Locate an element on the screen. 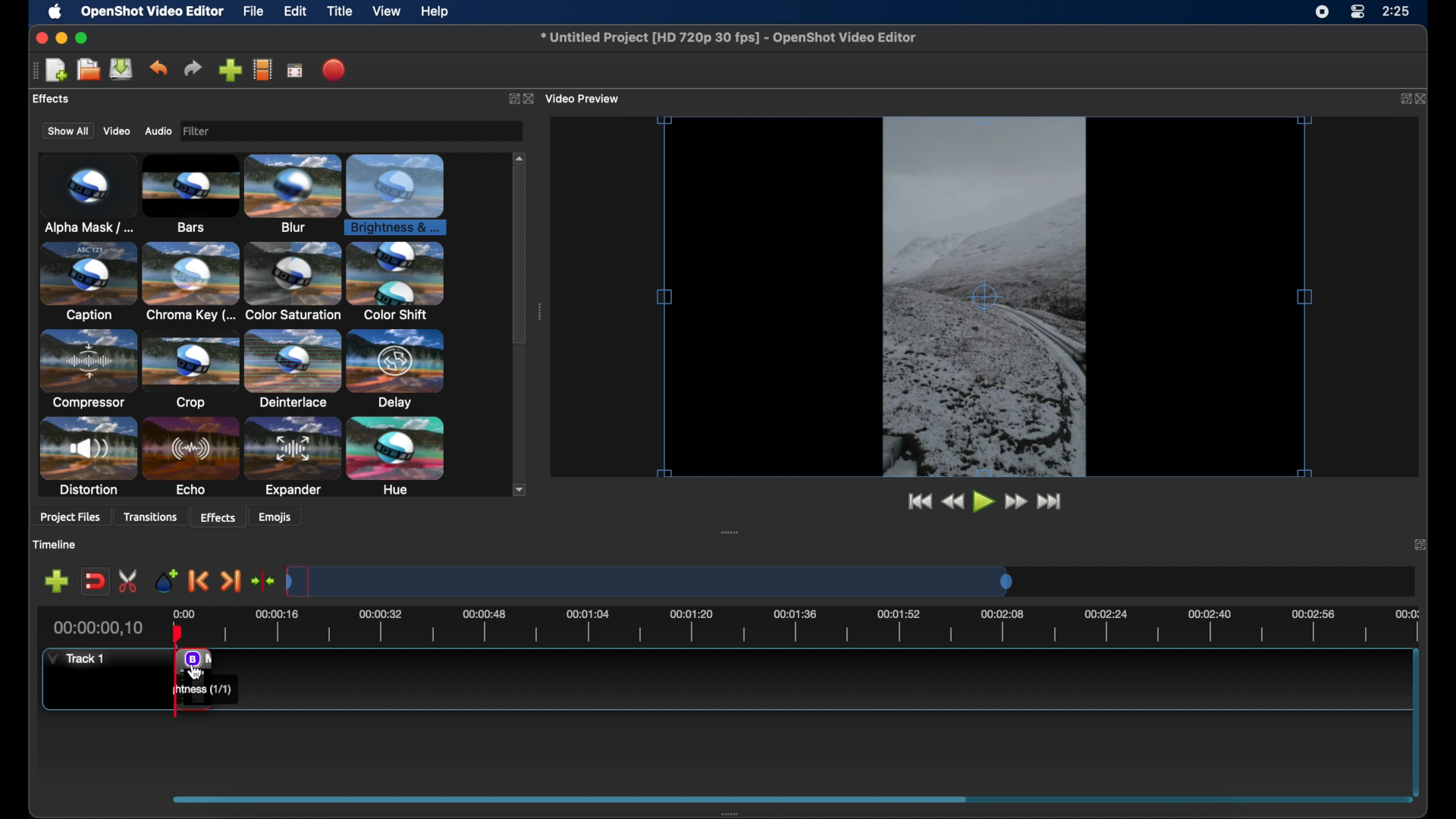  disable snapping is located at coordinates (96, 582).